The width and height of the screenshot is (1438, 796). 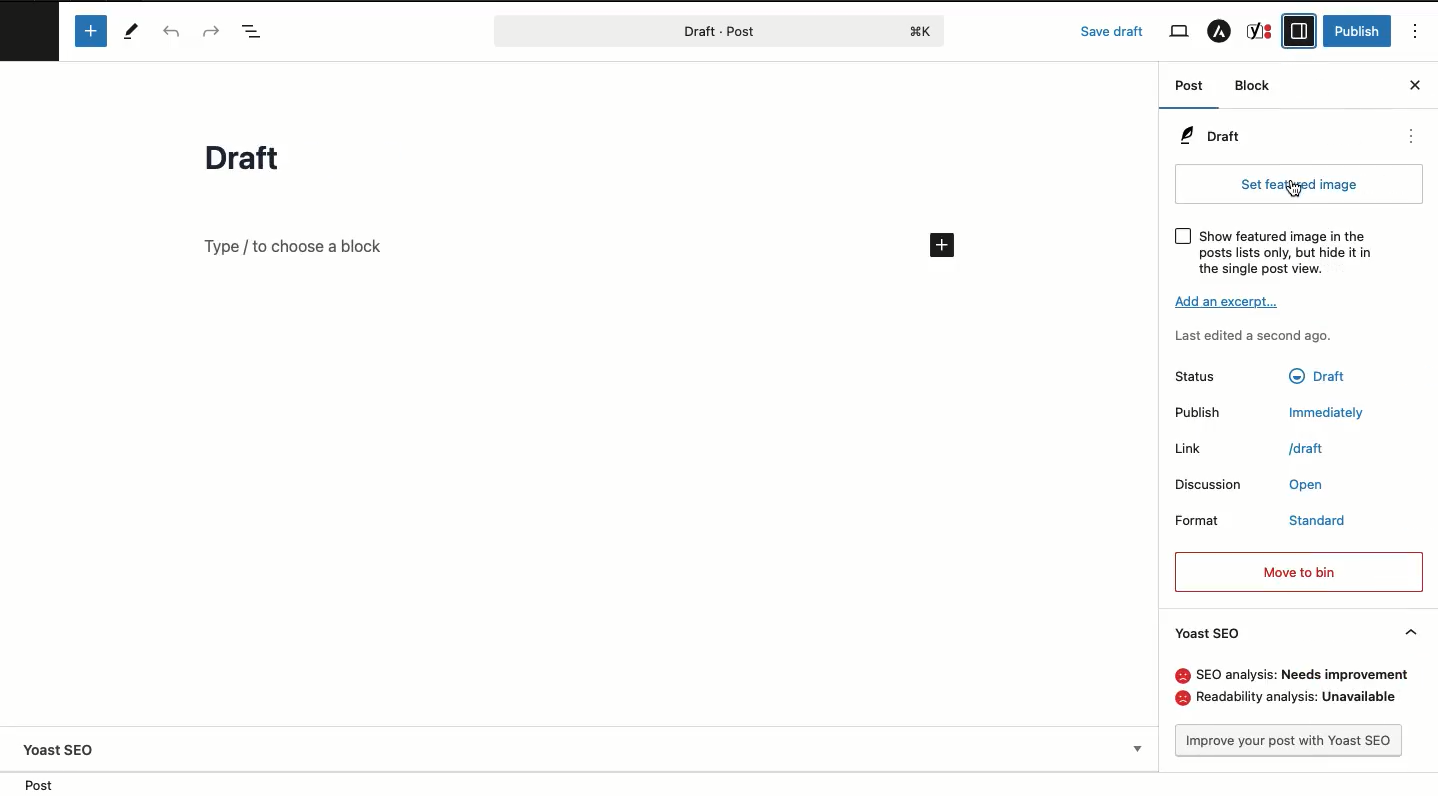 What do you see at coordinates (1305, 450) in the screenshot?
I see `text` at bounding box center [1305, 450].